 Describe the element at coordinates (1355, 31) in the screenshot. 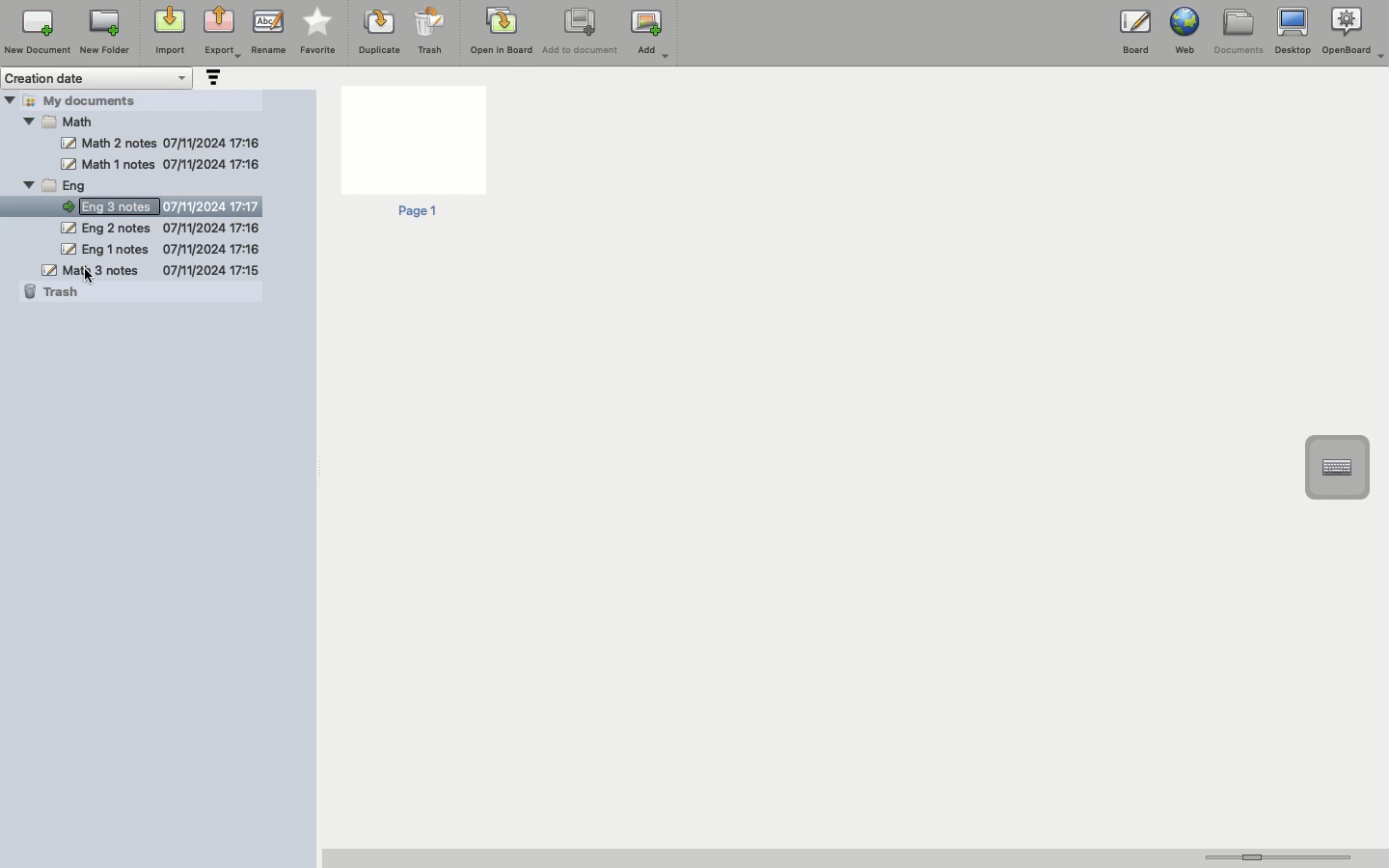

I see `OpenBoard` at that location.